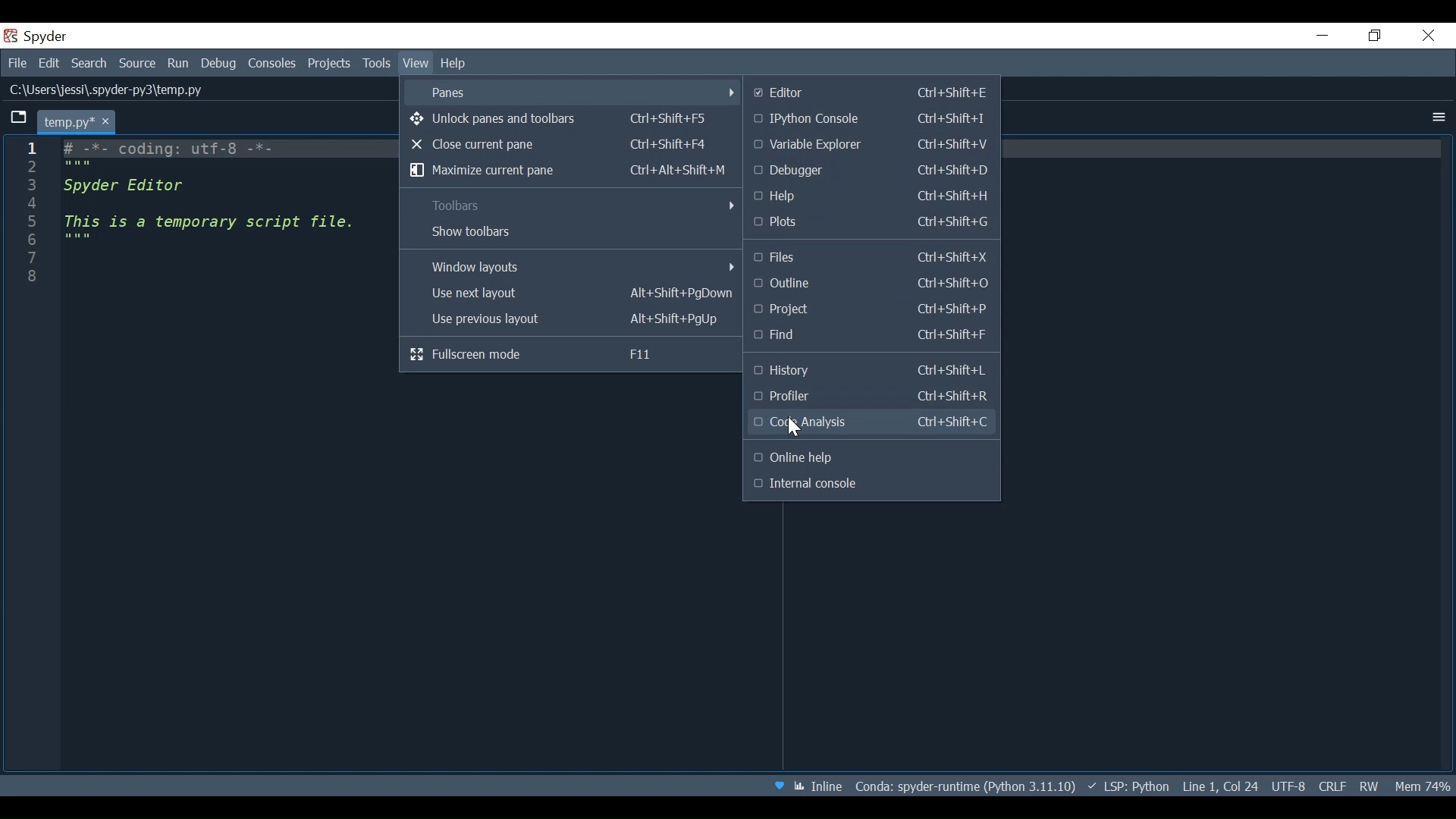 The width and height of the screenshot is (1456, 819). Describe the element at coordinates (416, 63) in the screenshot. I see `View` at that location.